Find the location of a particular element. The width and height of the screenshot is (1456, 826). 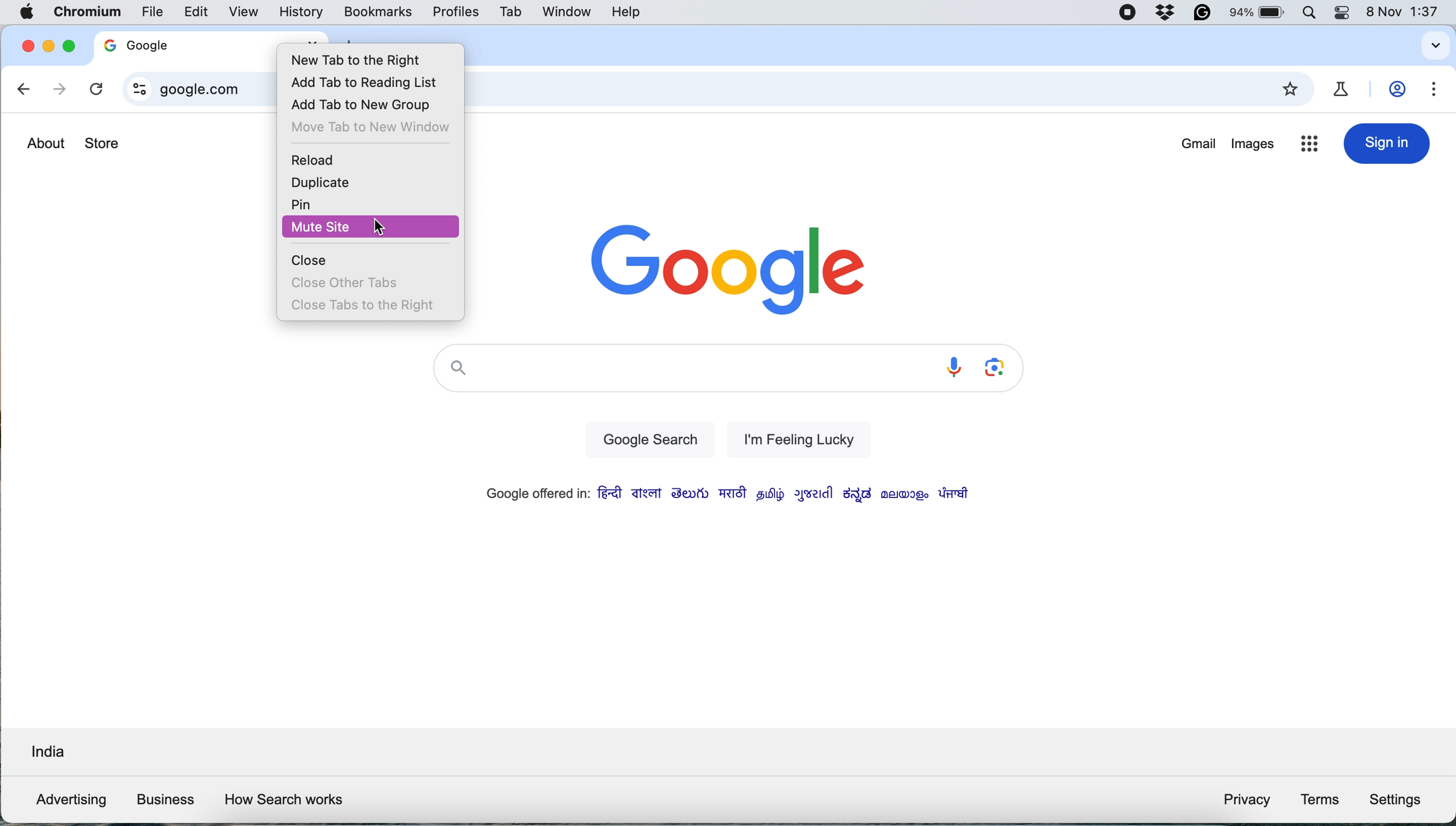

settings is located at coordinates (1399, 798).